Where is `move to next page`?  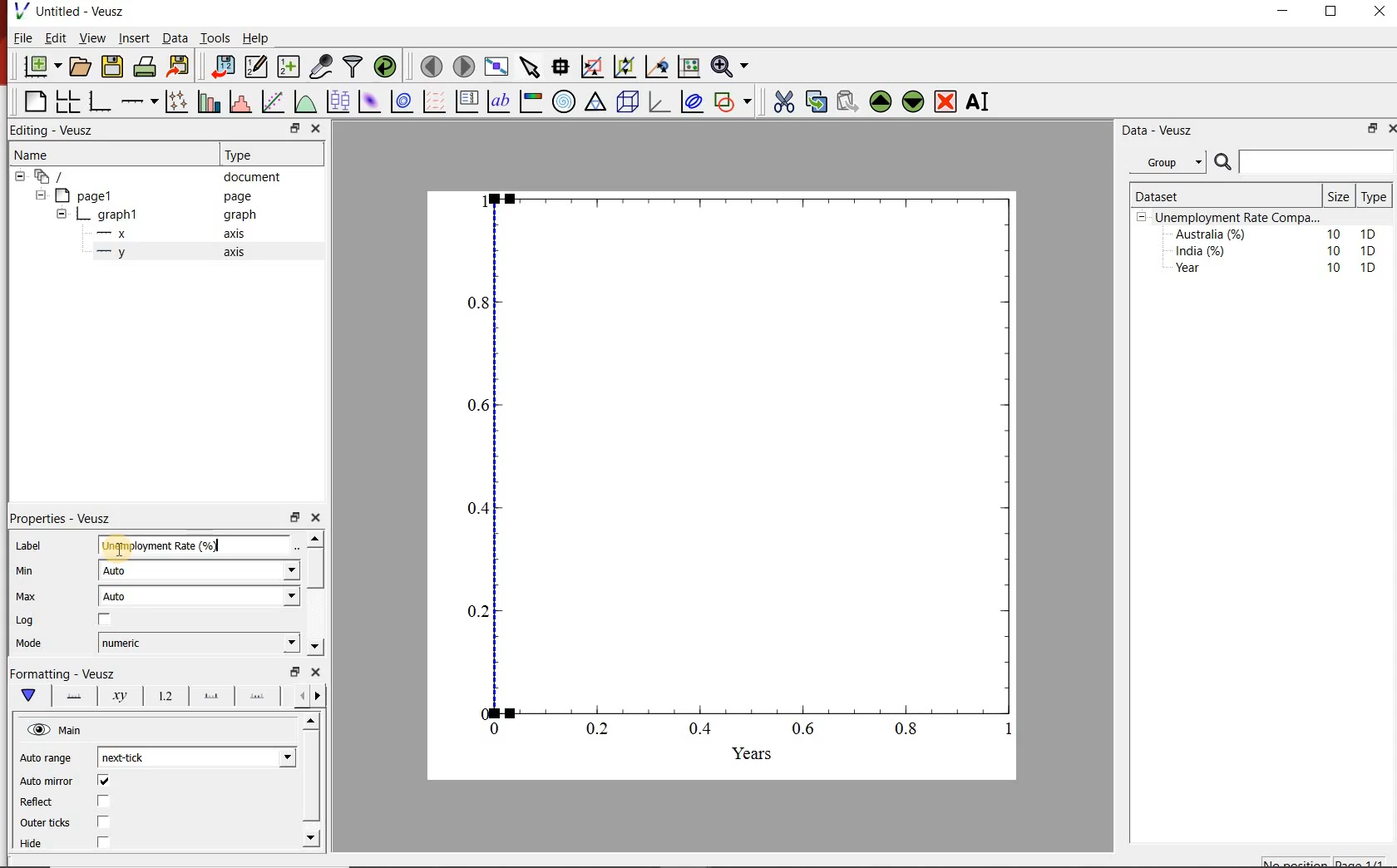 move to next page is located at coordinates (465, 67).